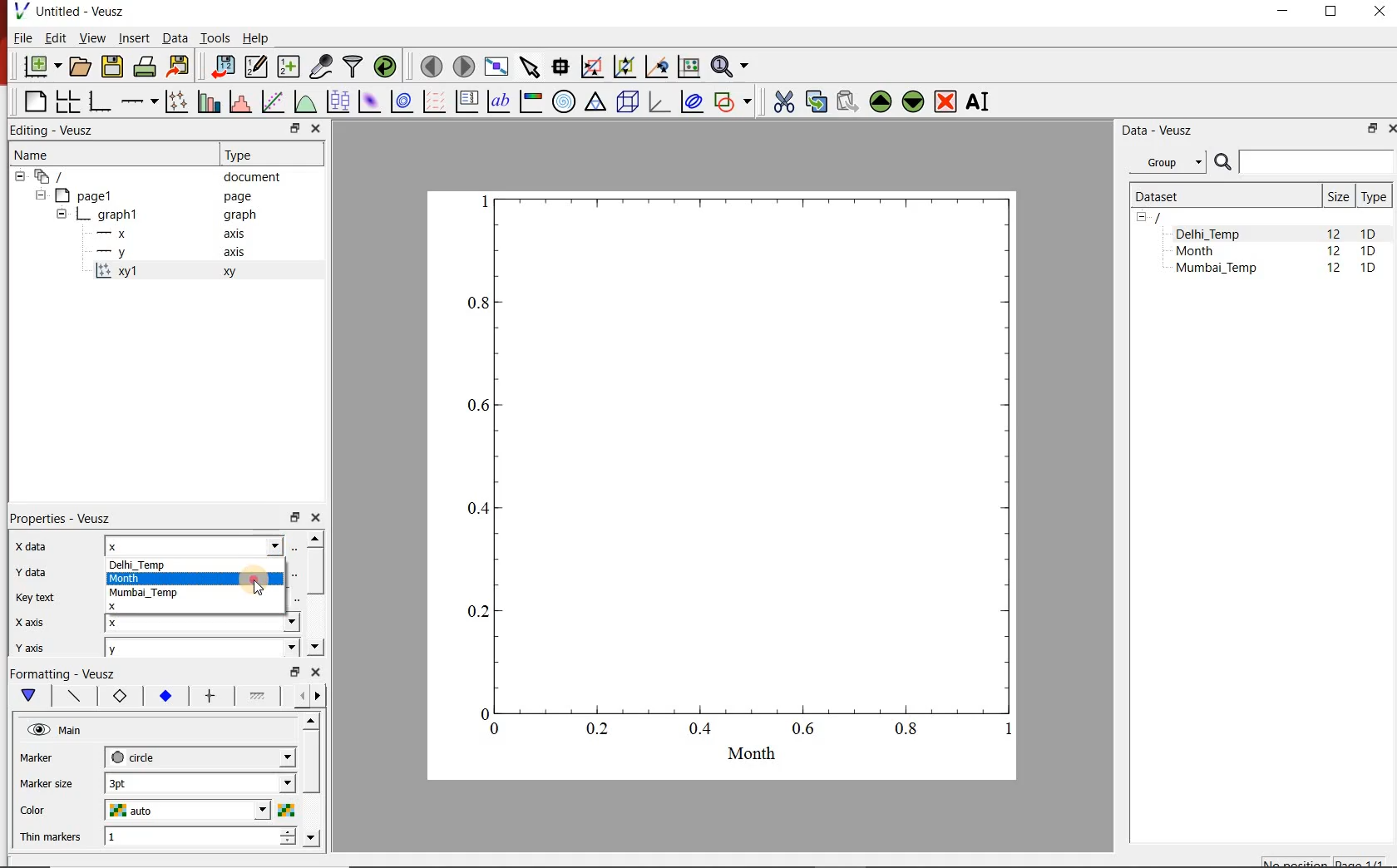  I want to click on y axis, so click(28, 648).